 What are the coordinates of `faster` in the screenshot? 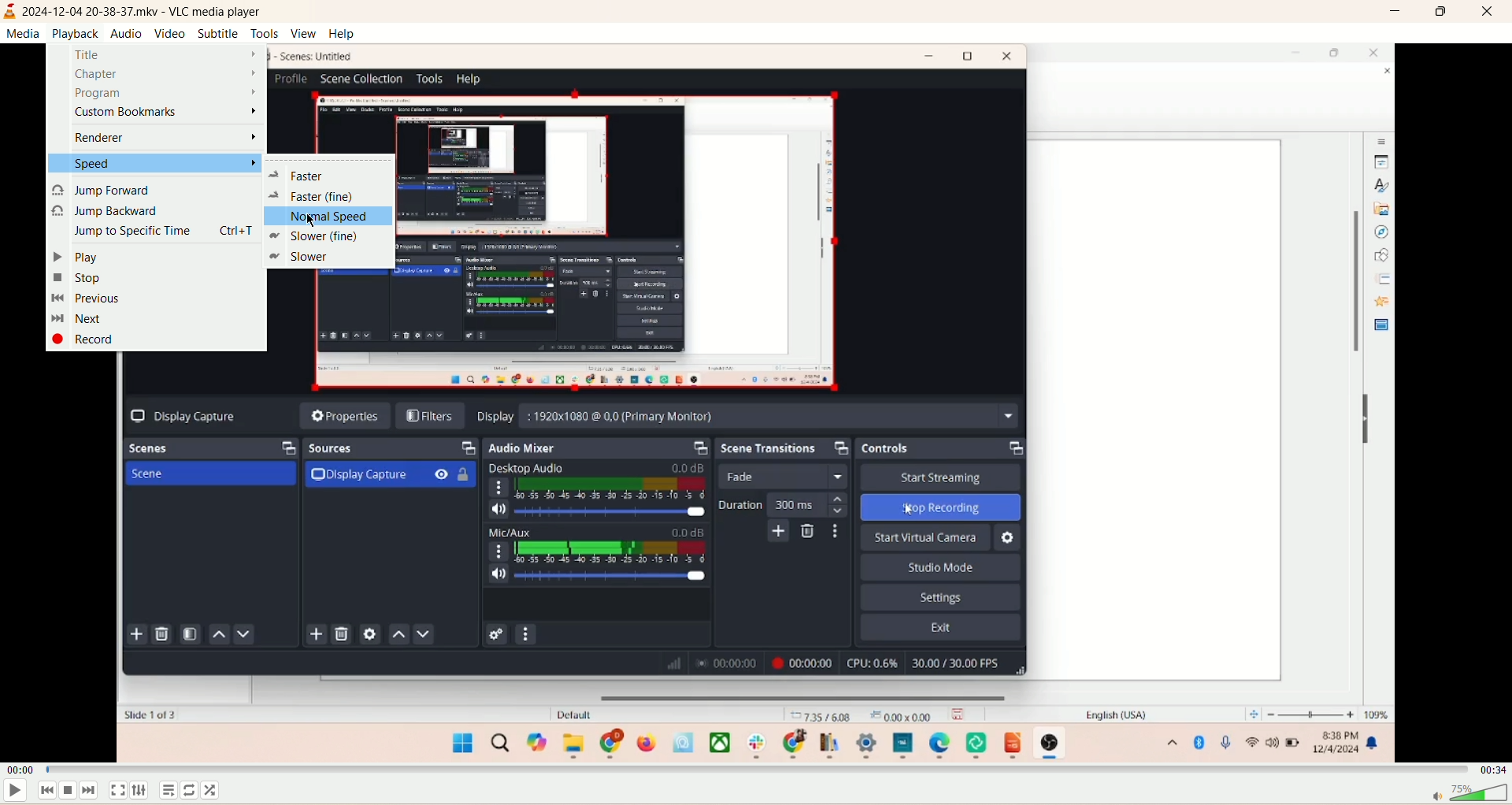 It's located at (304, 176).